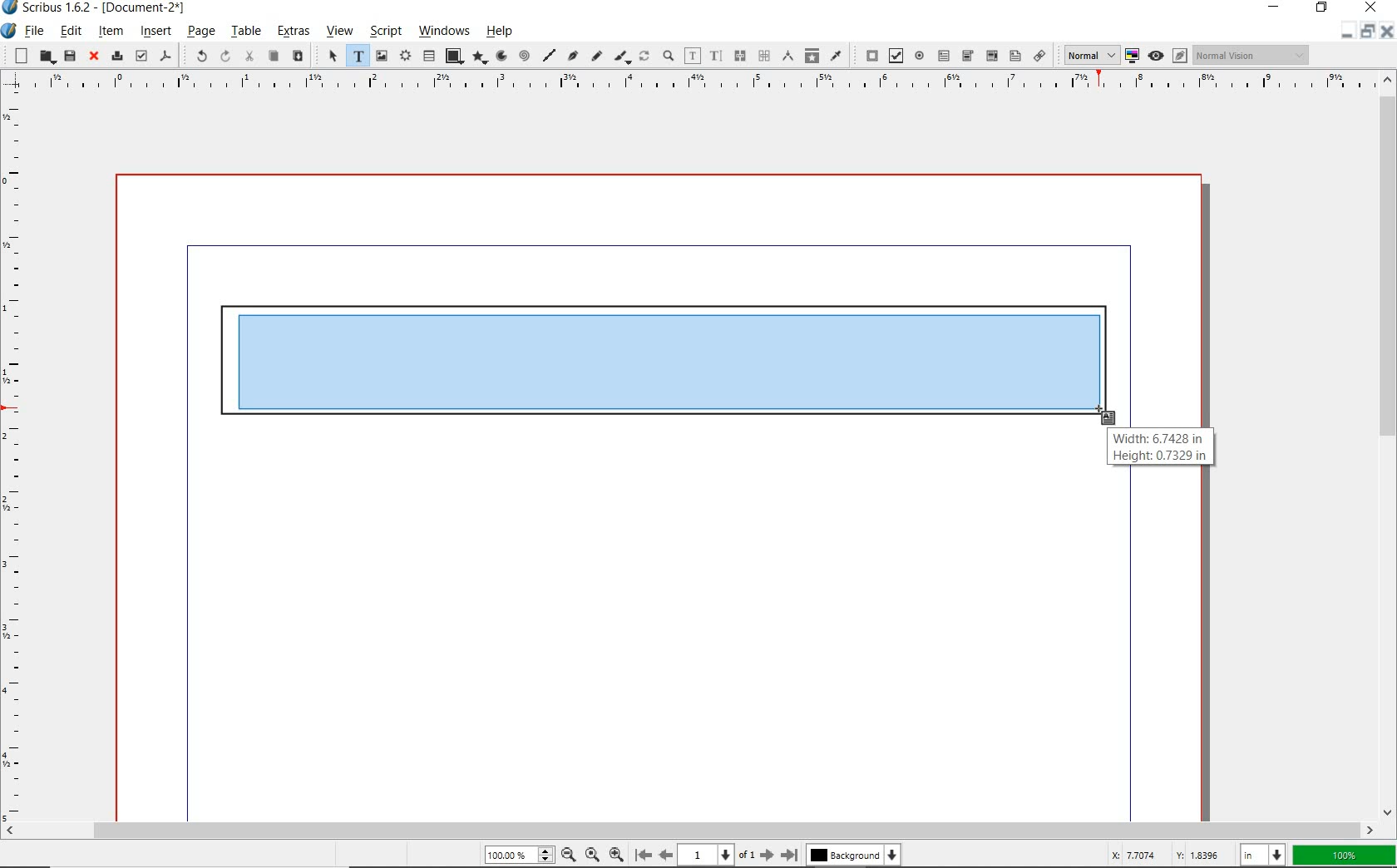  What do you see at coordinates (427, 55) in the screenshot?
I see `table` at bounding box center [427, 55].